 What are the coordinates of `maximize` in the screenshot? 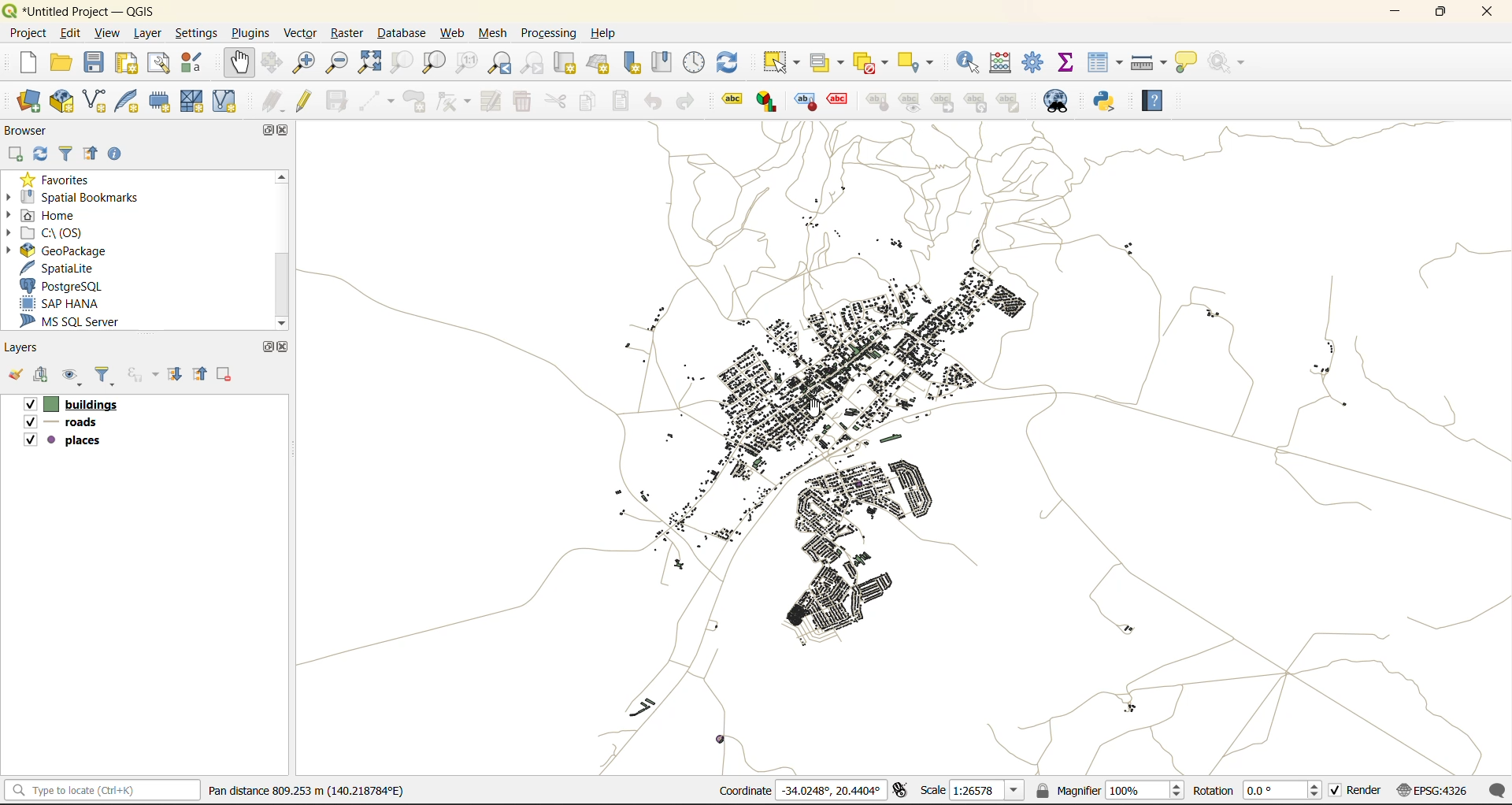 It's located at (262, 347).